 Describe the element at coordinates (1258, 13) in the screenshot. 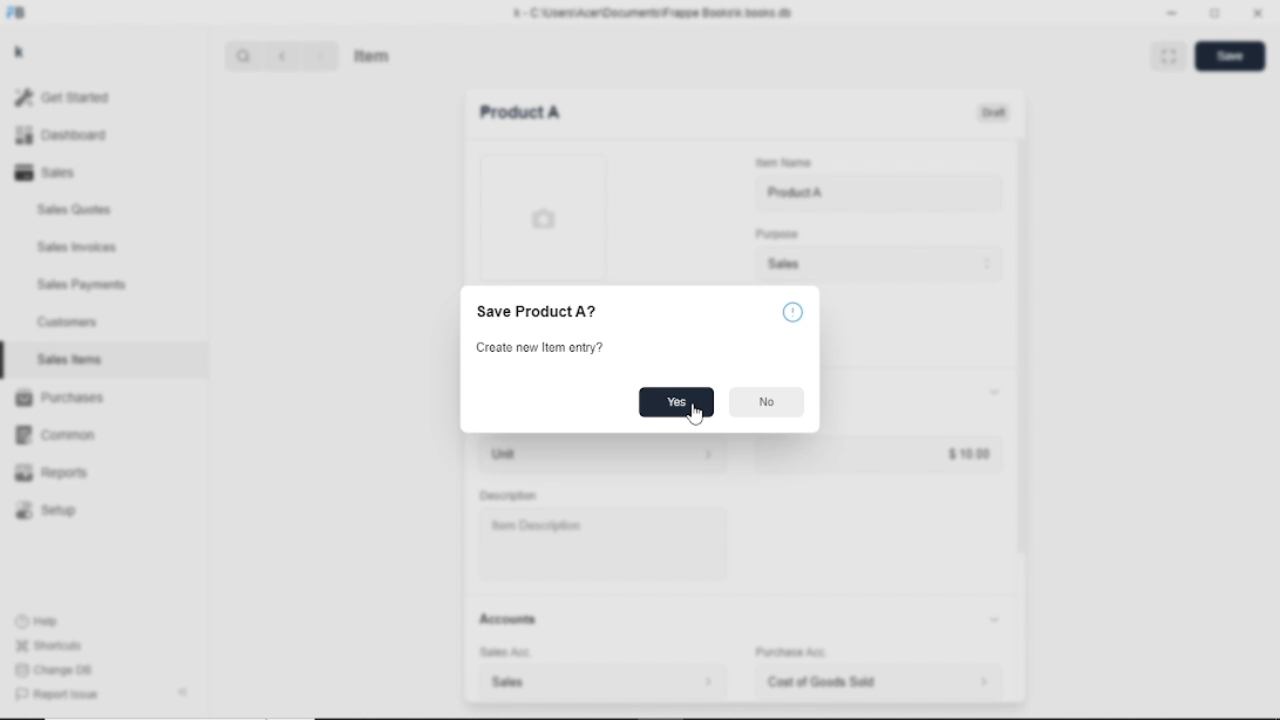

I see `Close` at that location.